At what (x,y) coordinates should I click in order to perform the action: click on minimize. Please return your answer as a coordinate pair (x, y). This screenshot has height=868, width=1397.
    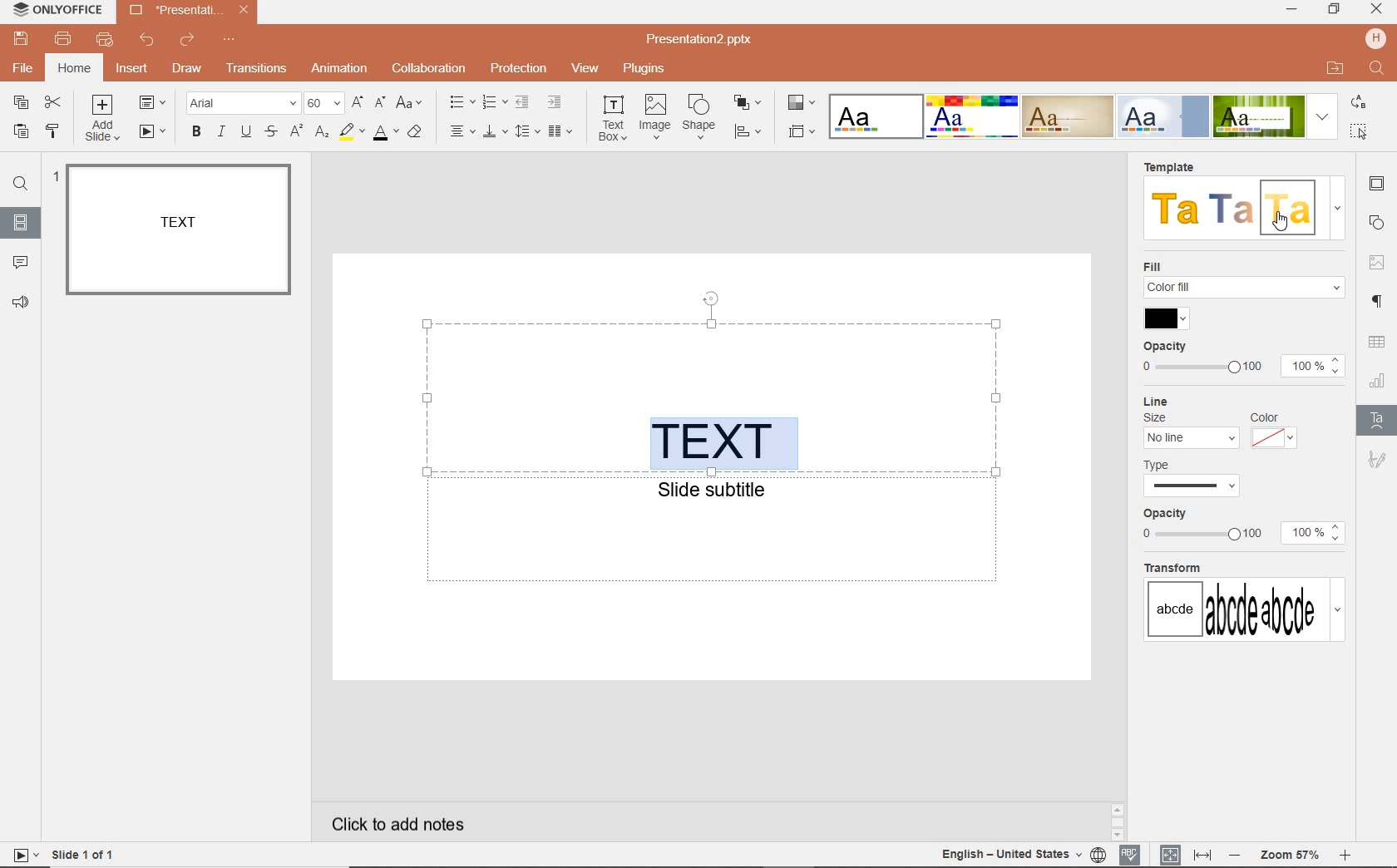
    Looking at the image, I should click on (1291, 10).